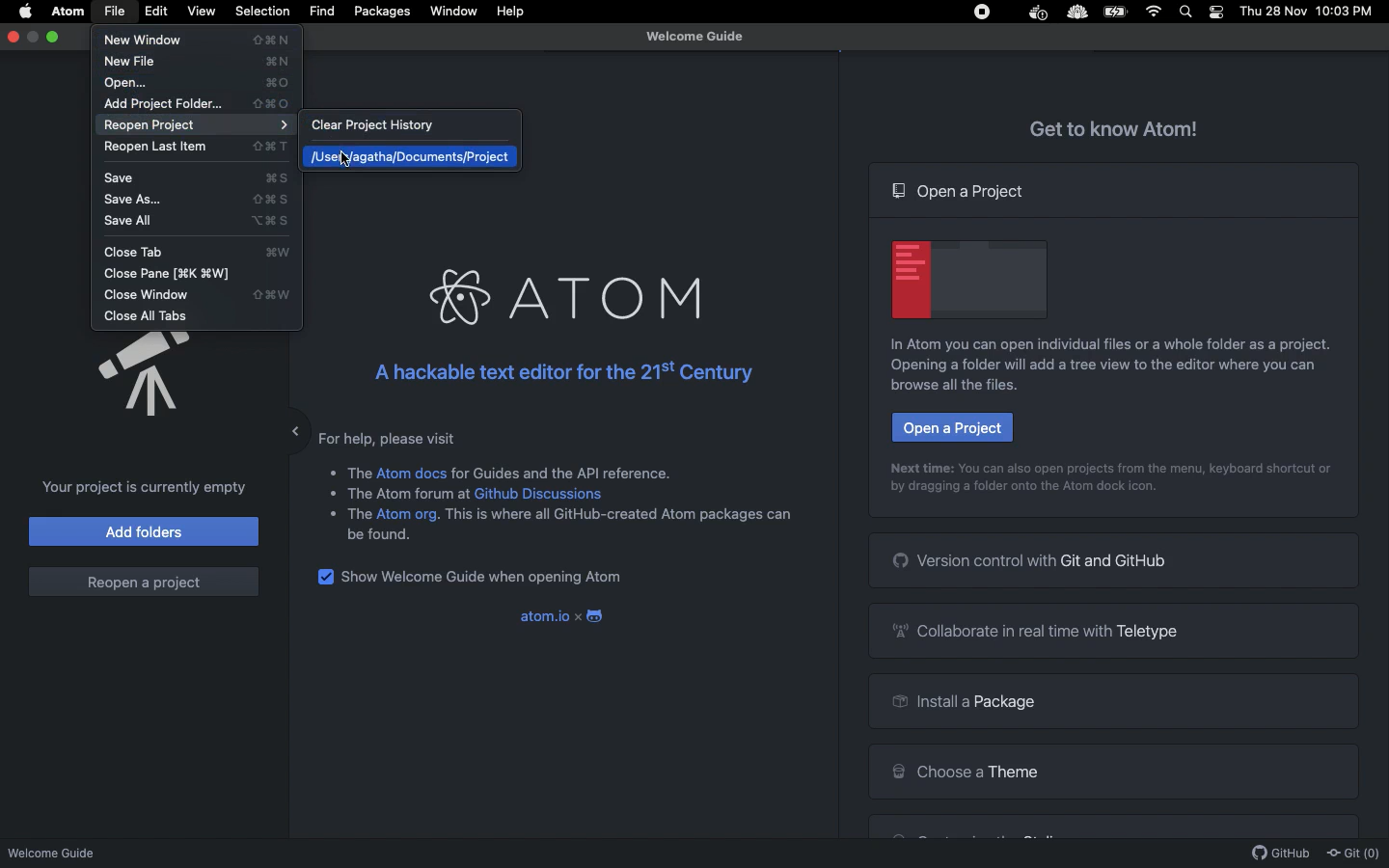  What do you see at coordinates (951, 427) in the screenshot?
I see `Open a project` at bounding box center [951, 427].